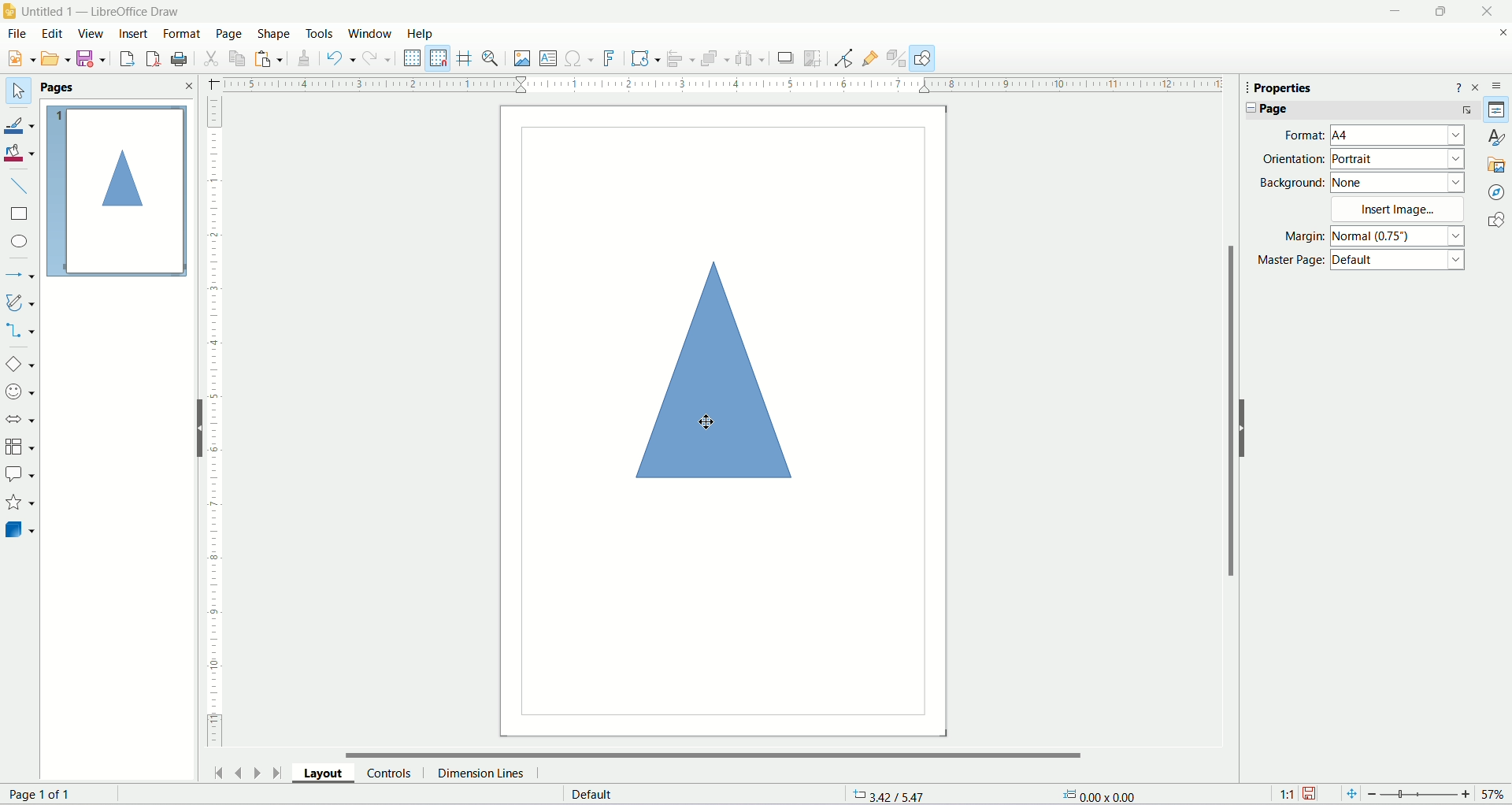 Image resolution: width=1512 pixels, height=805 pixels. What do you see at coordinates (20, 124) in the screenshot?
I see `Line Color` at bounding box center [20, 124].